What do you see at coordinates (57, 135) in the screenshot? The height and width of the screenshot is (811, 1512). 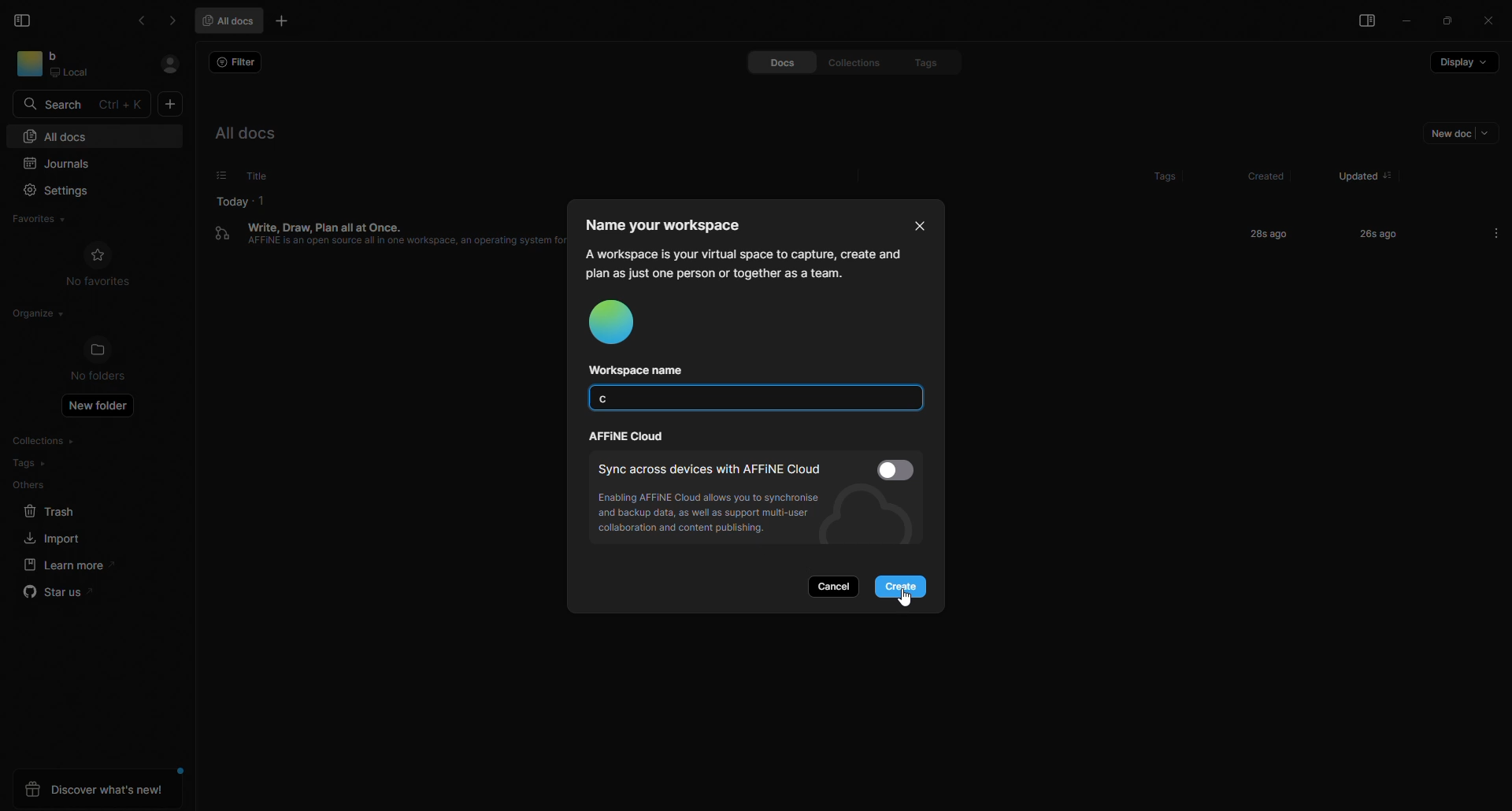 I see `all docs` at bounding box center [57, 135].